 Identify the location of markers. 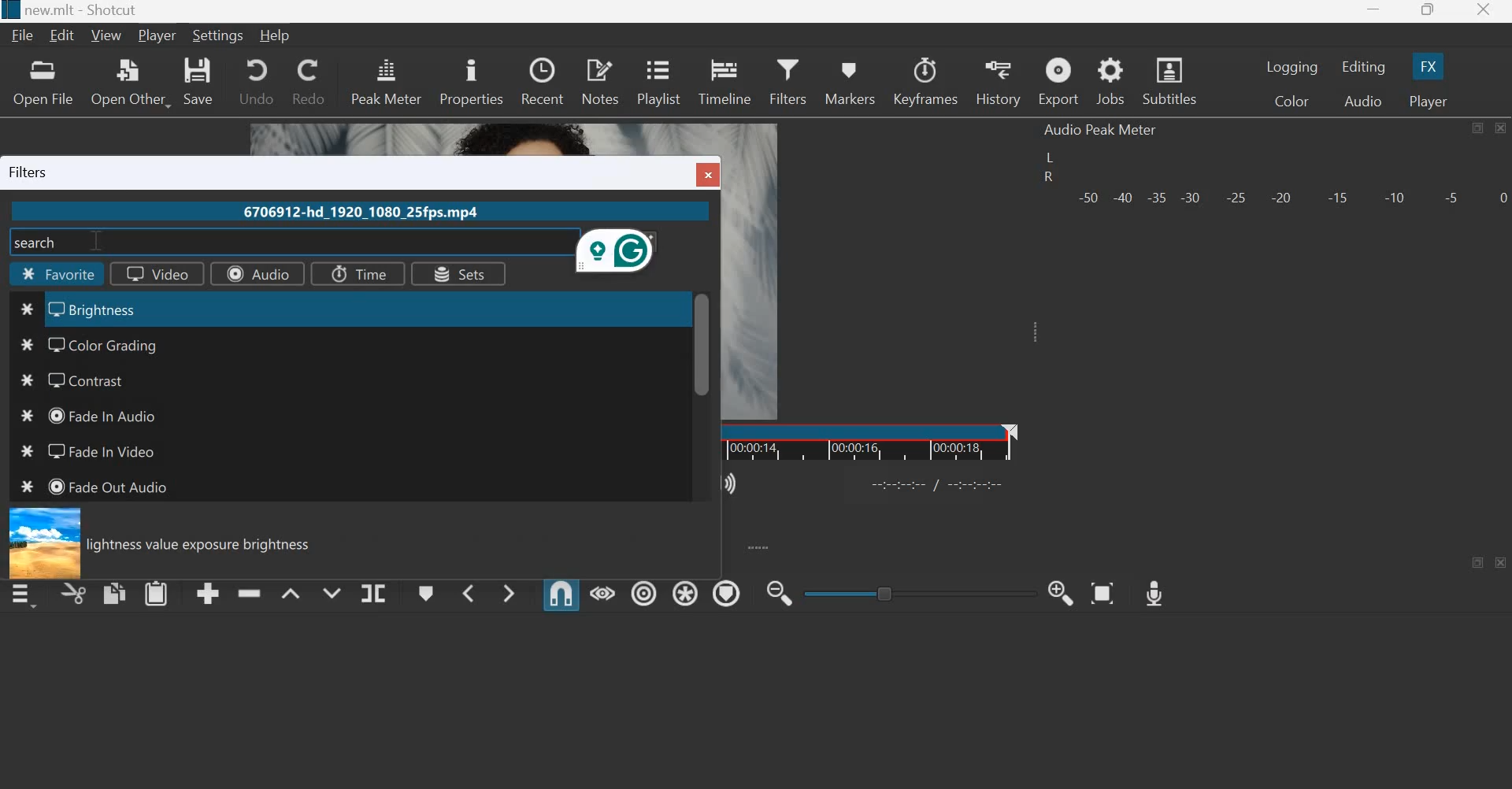
(848, 83).